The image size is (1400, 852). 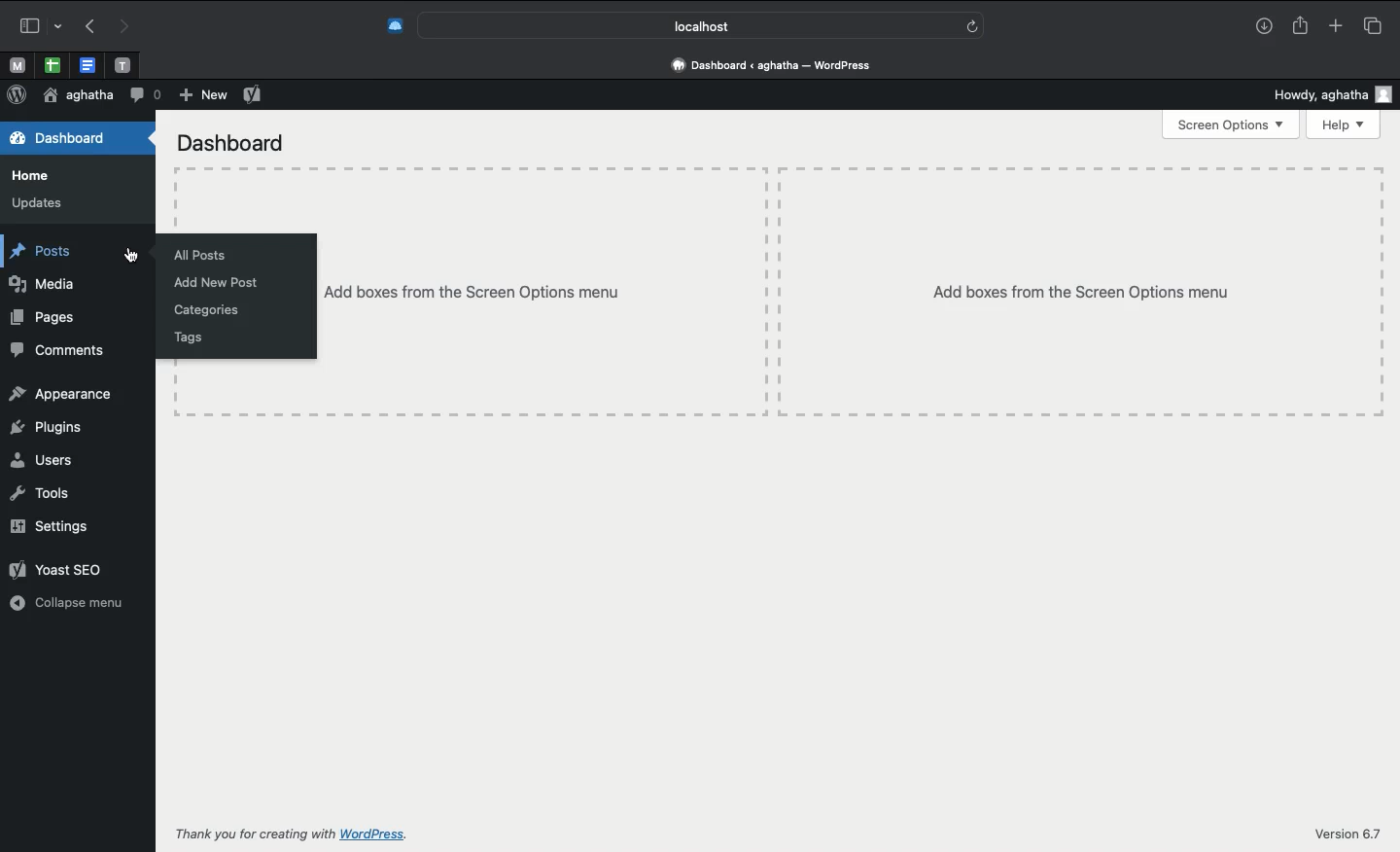 What do you see at coordinates (86, 61) in the screenshot?
I see `pinned tab, google docs` at bounding box center [86, 61].